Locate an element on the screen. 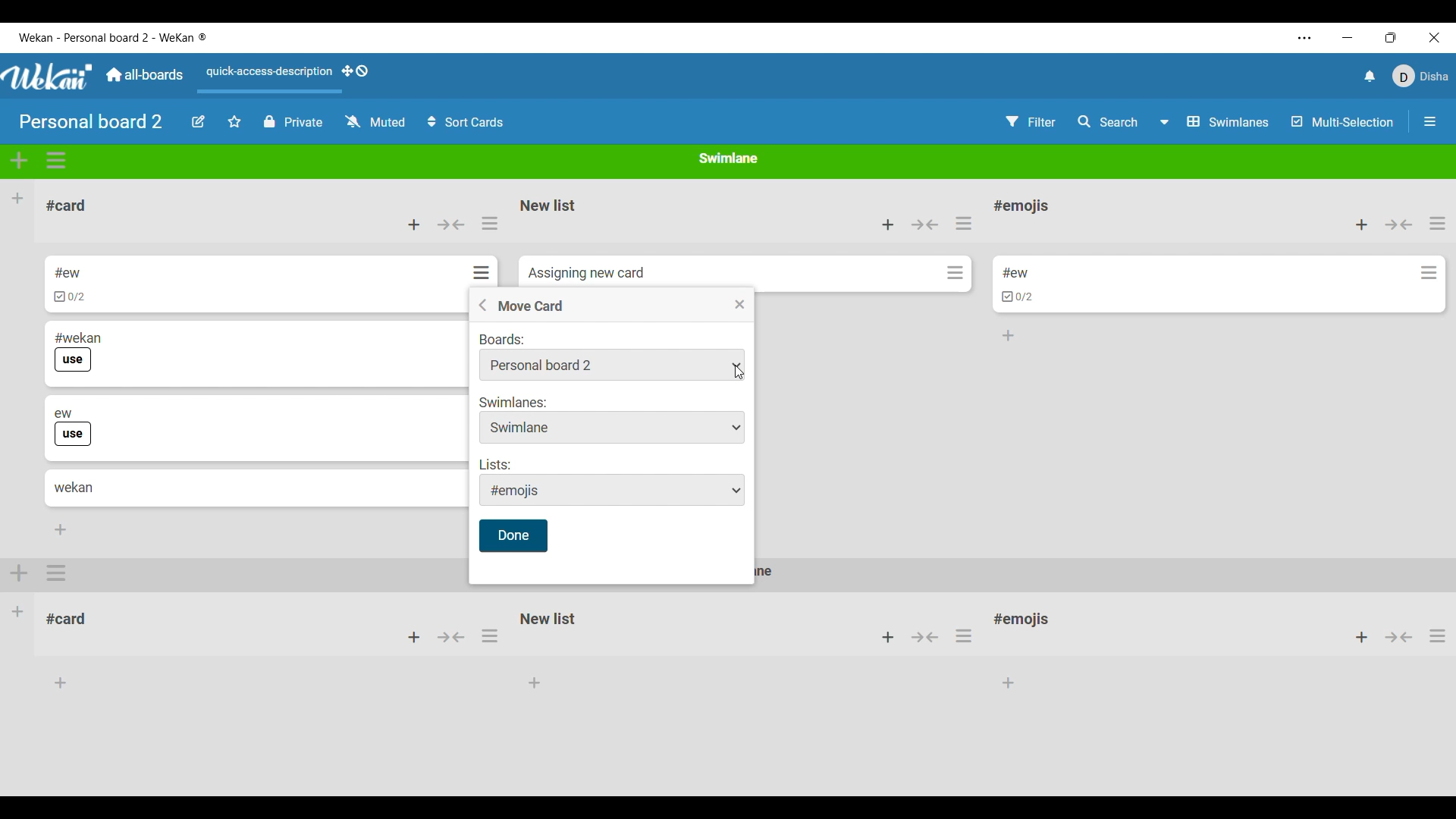 The width and height of the screenshot is (1456, 819). Privacy options is located at coordinates (293, 122).